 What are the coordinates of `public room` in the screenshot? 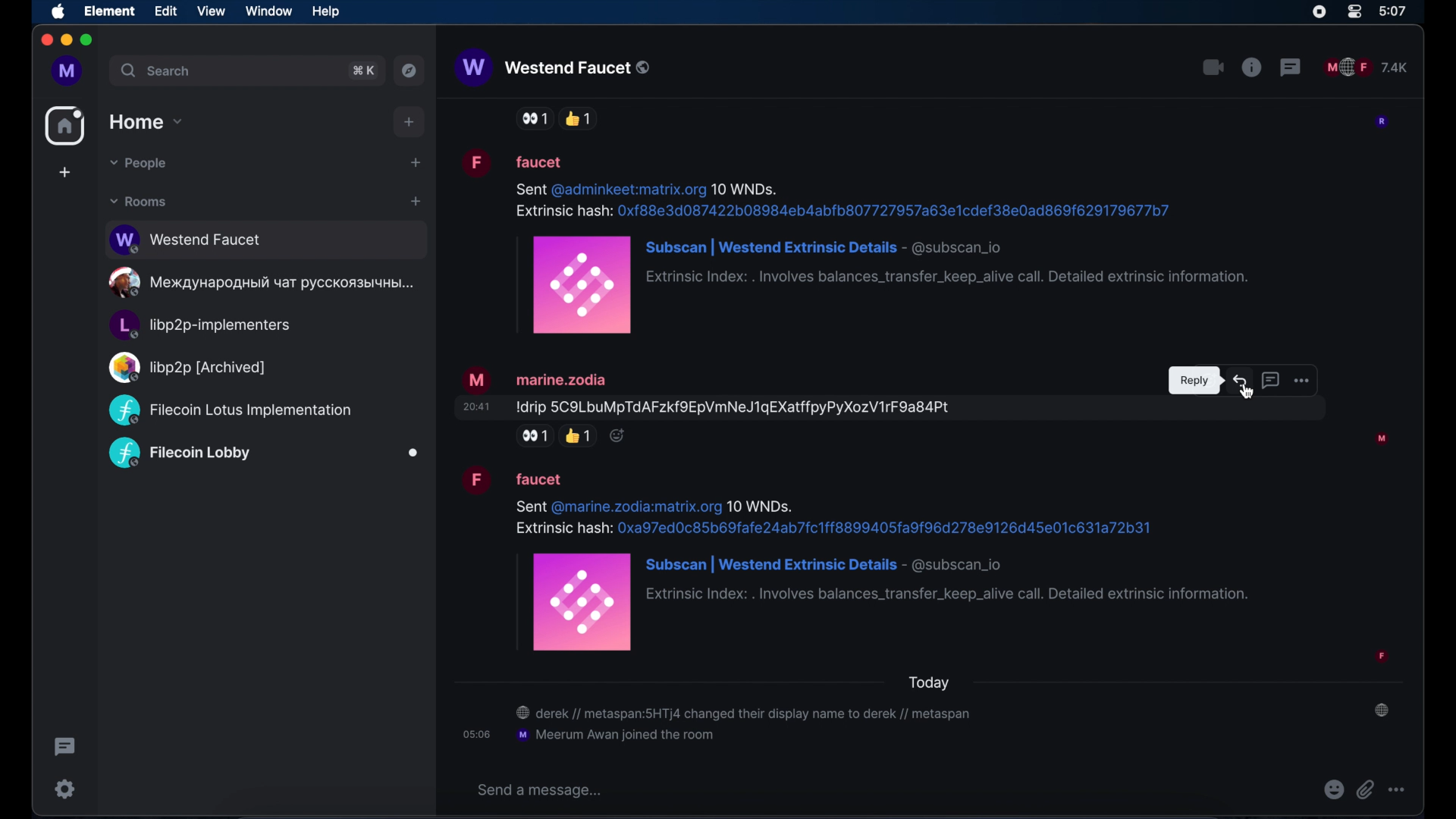 It's located at (200, 326).